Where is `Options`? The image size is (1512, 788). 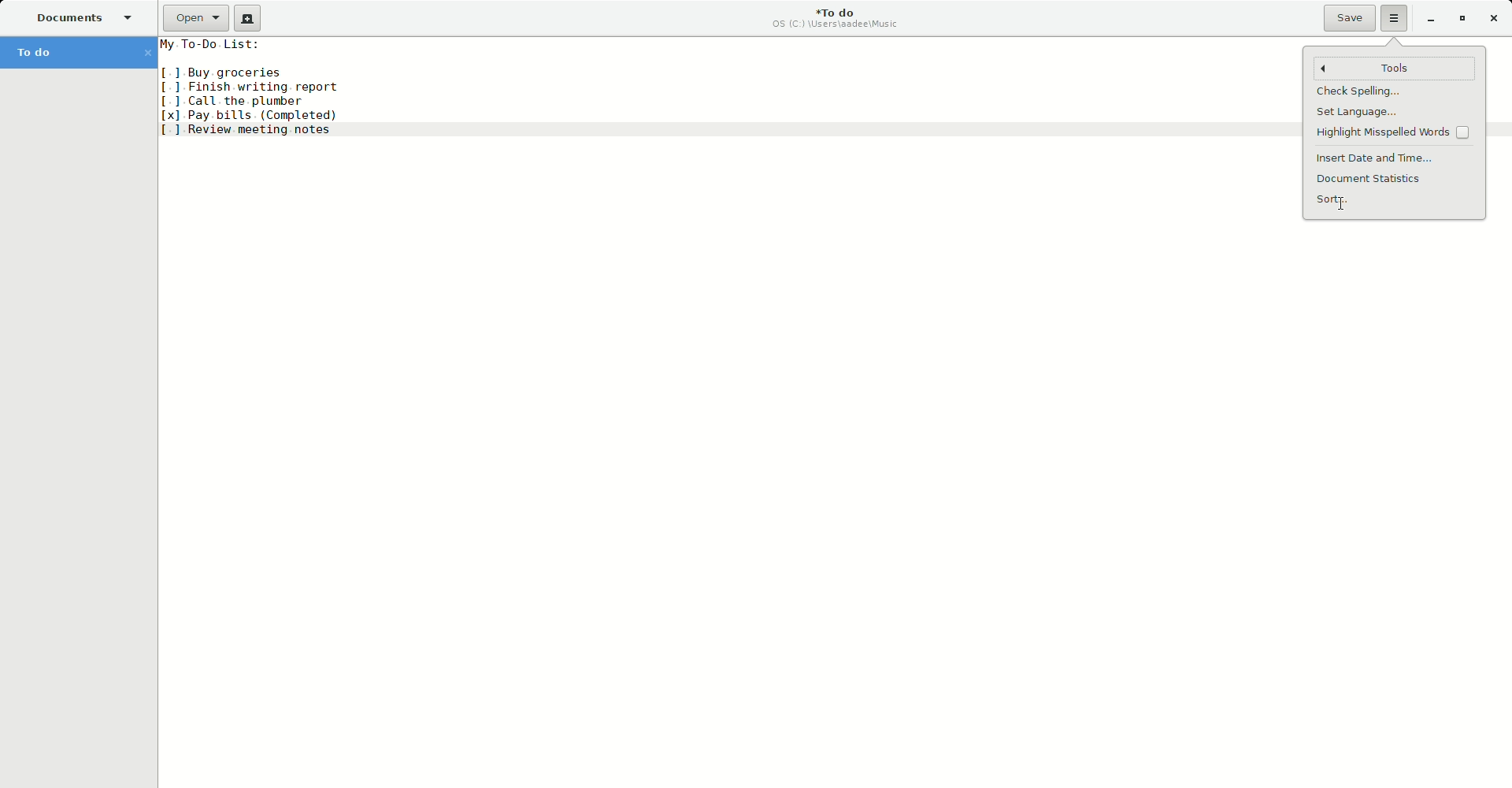
Options is located at coordinates (1395, 19).